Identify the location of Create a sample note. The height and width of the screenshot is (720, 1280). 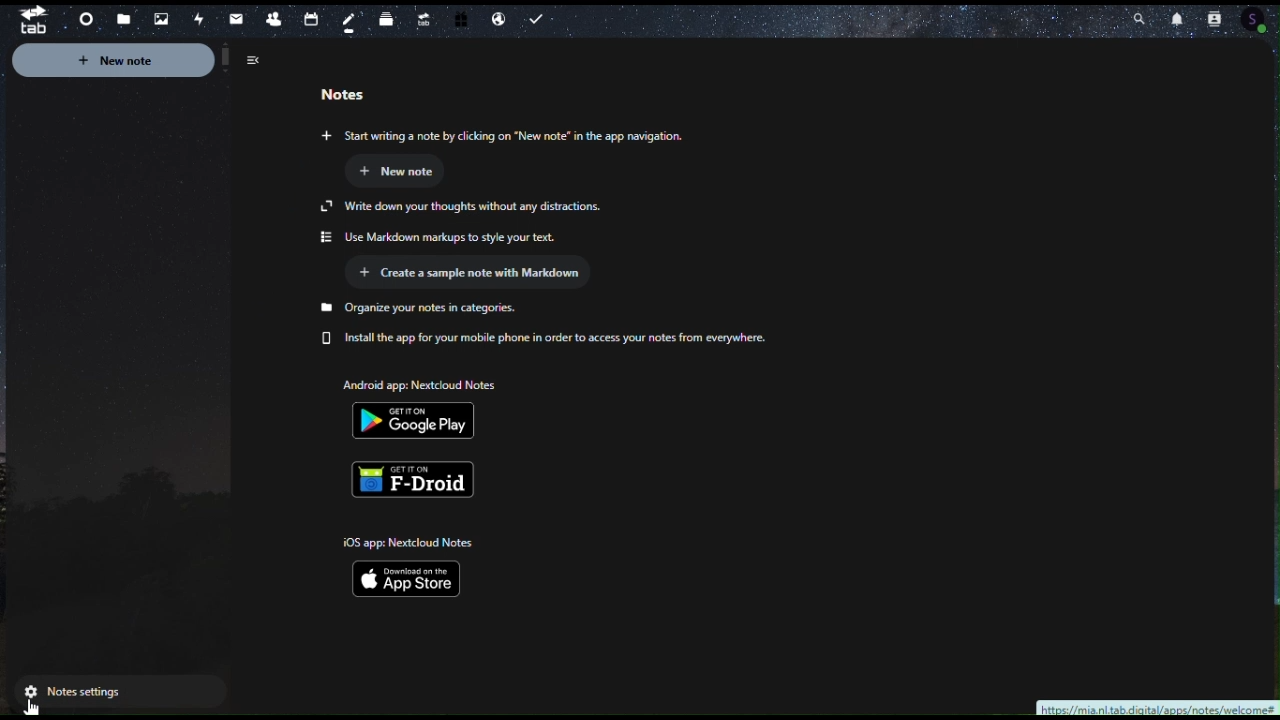
(479, 276).